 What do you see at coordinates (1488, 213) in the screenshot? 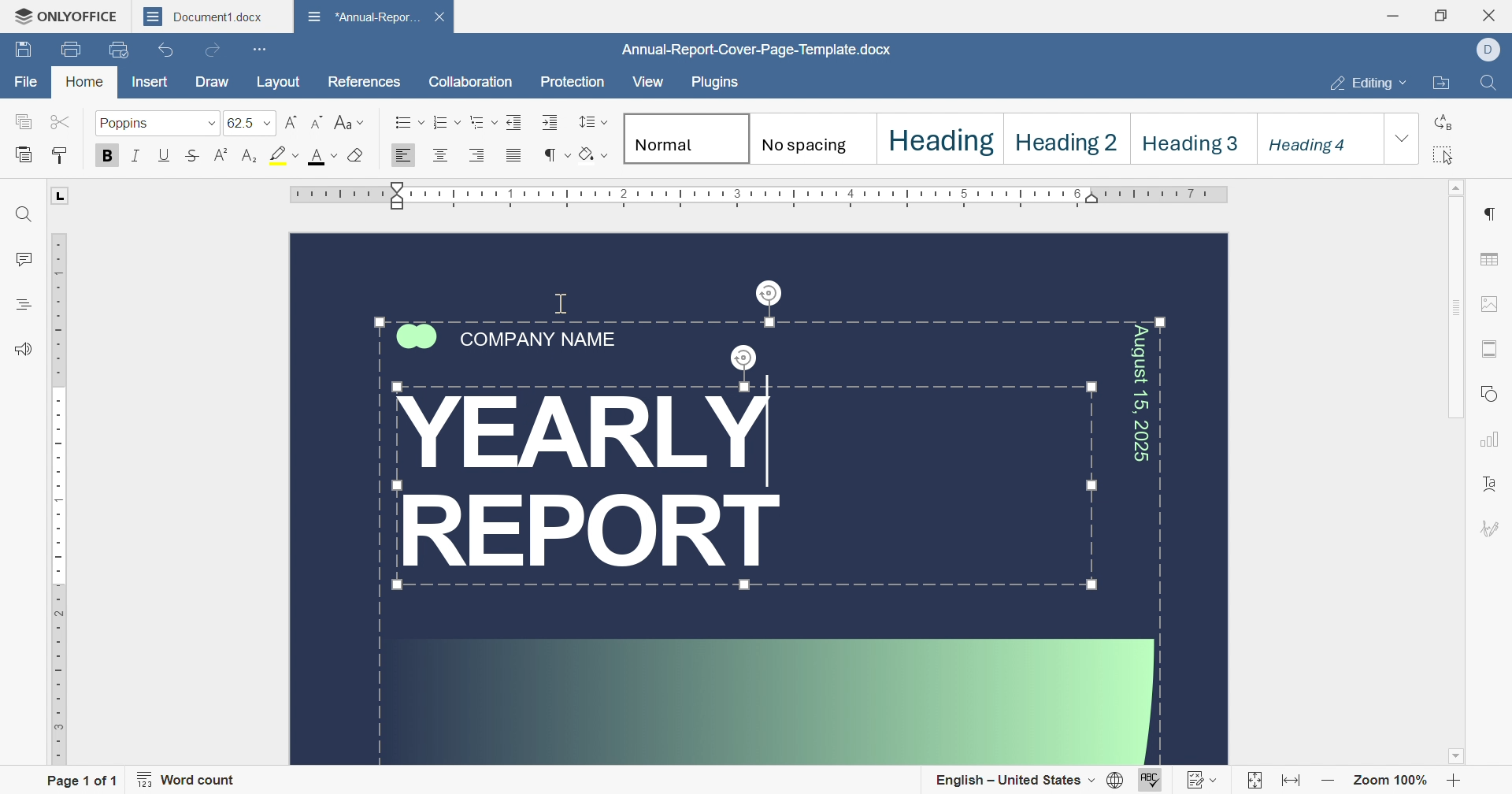
I see `paragraph settings` at bounding box center [1488, 213].